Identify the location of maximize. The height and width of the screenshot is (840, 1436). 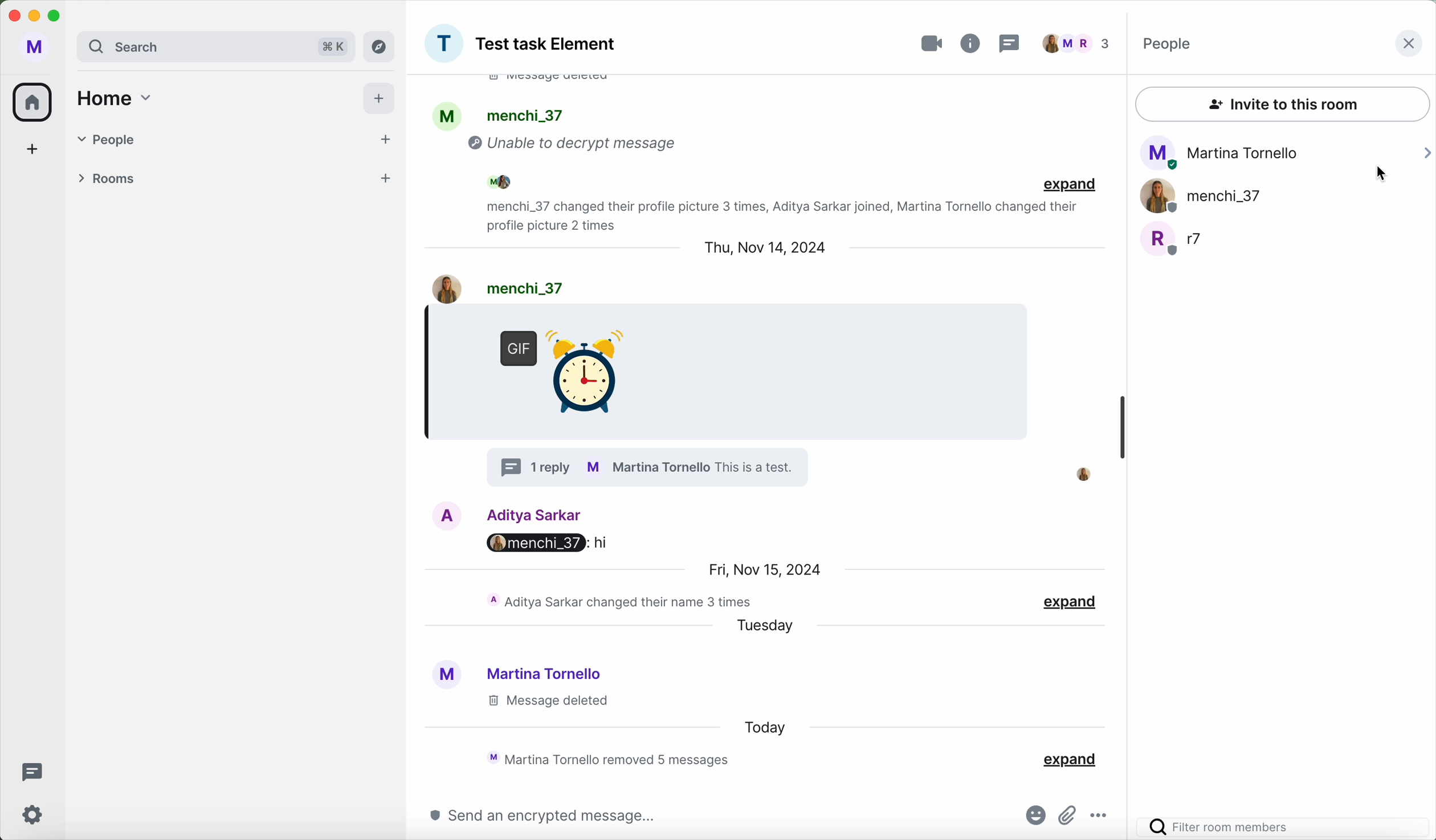
(58, 16).